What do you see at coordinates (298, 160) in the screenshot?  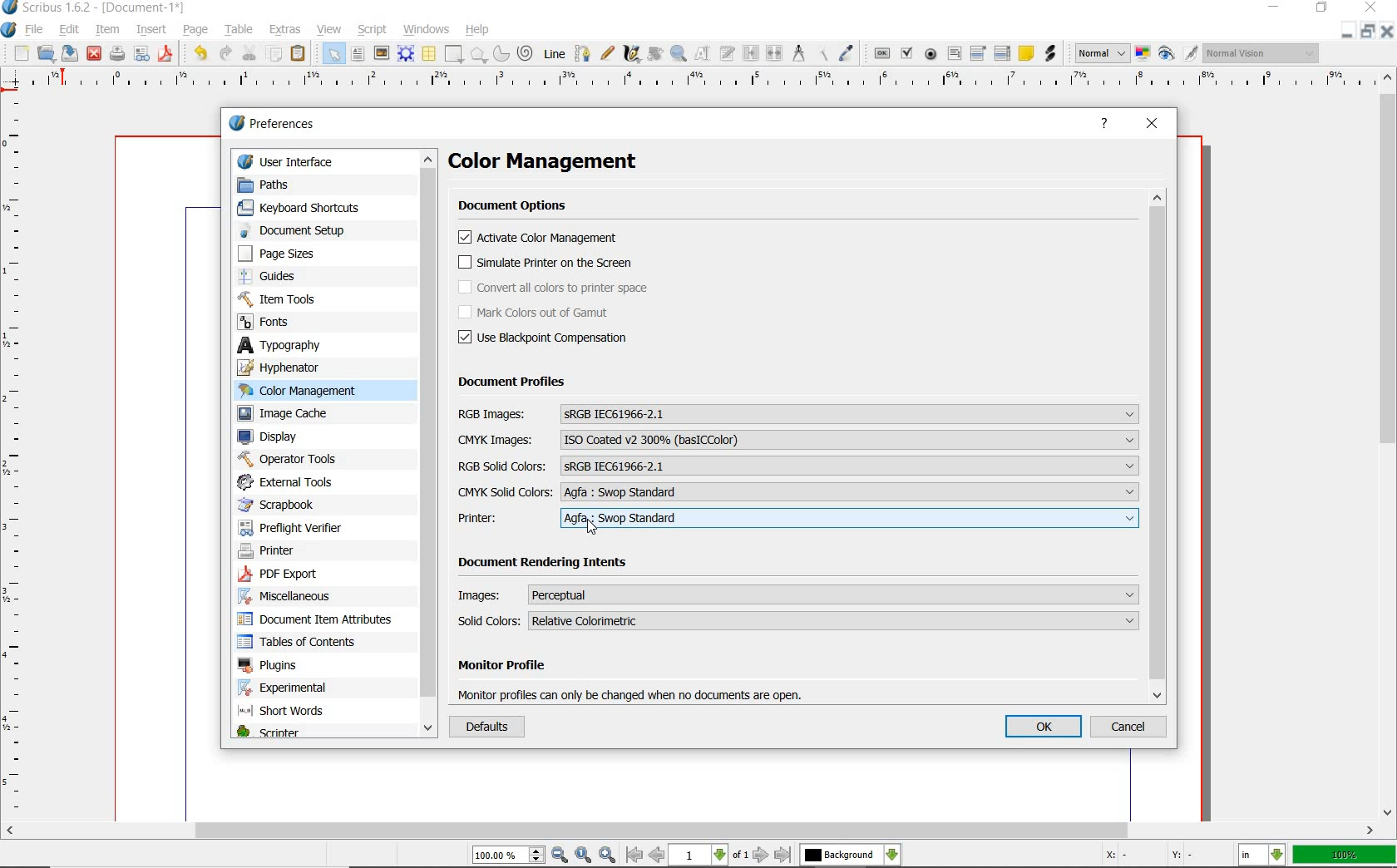 I see `user interface` at bounding box center [298, 160].